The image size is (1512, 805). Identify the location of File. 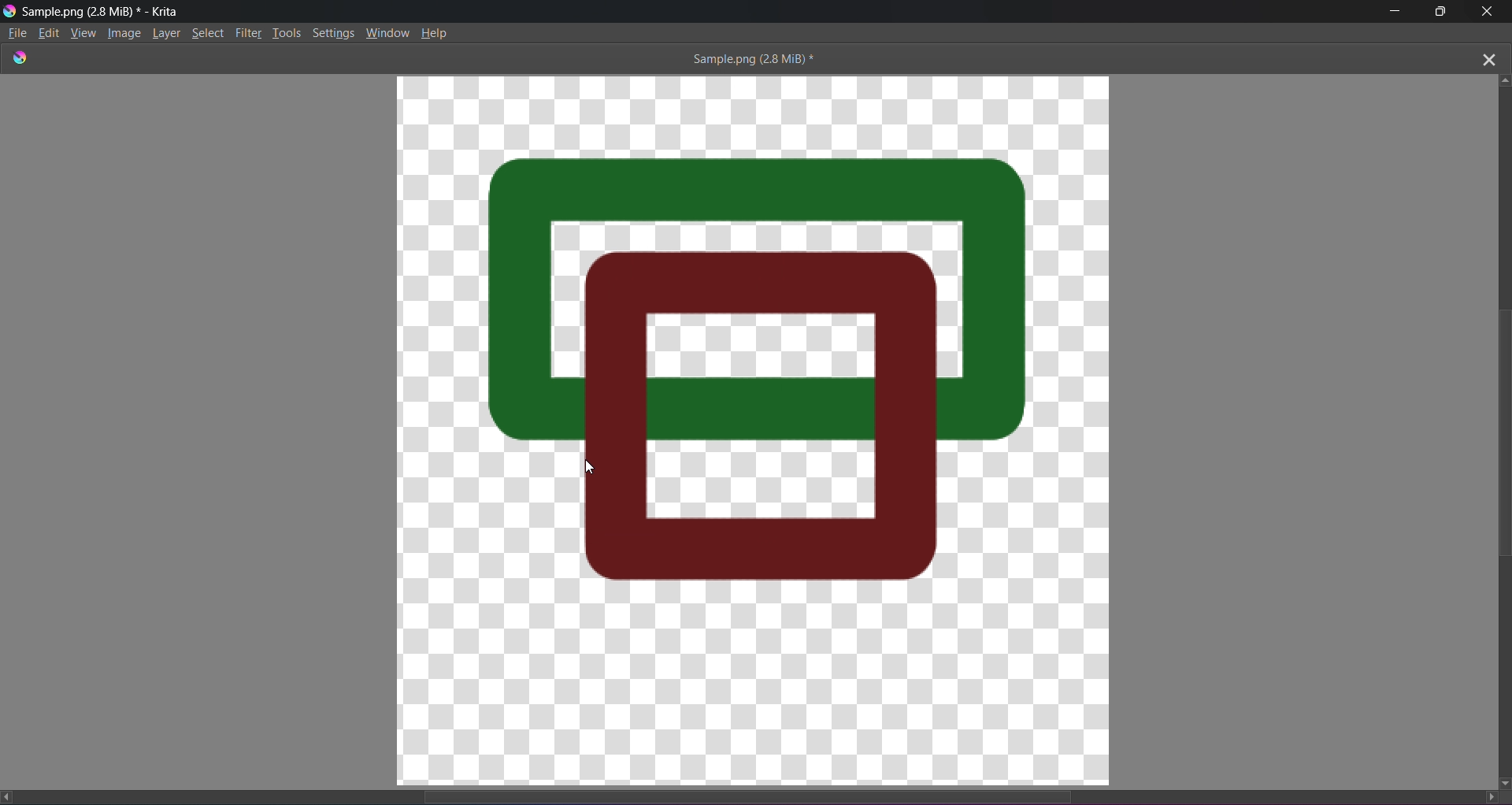
(17, 33).